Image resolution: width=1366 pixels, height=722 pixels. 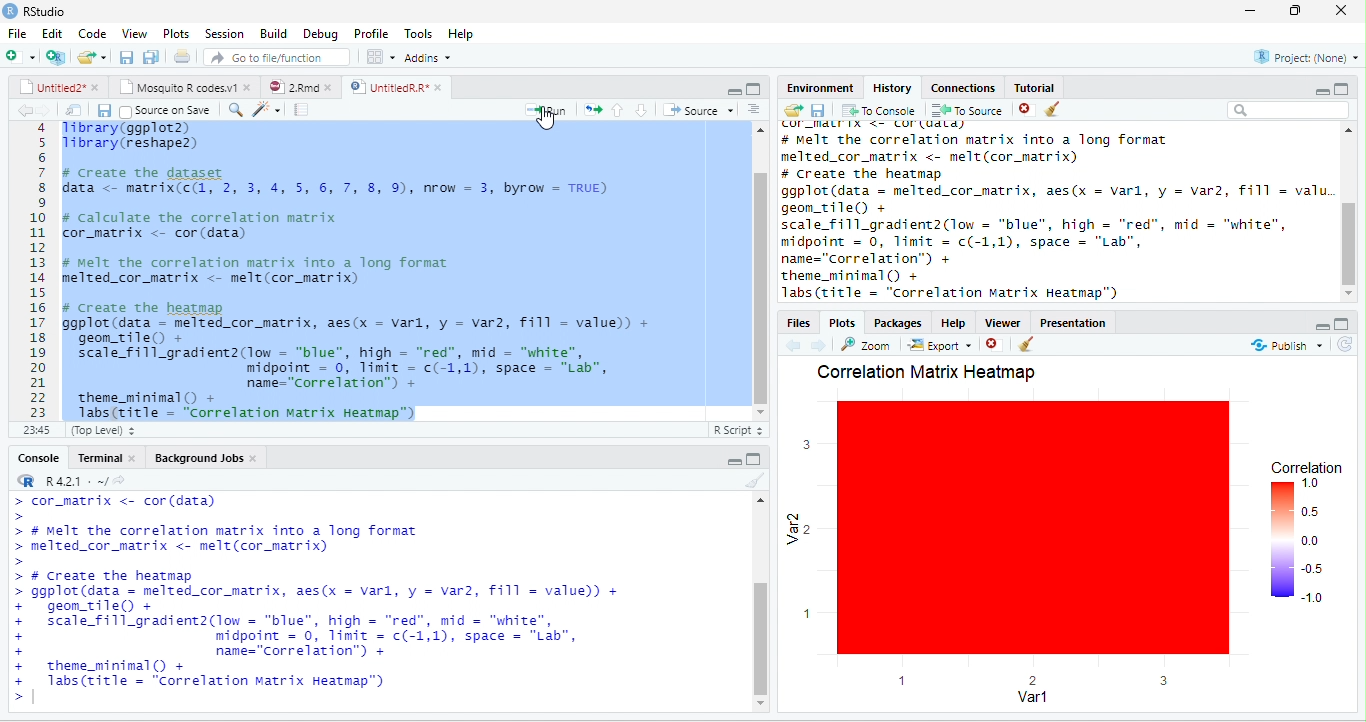 What do you see at coordinates (169, 109) in the screenshot?
I see `source on save` at bounding box center [169, 109].